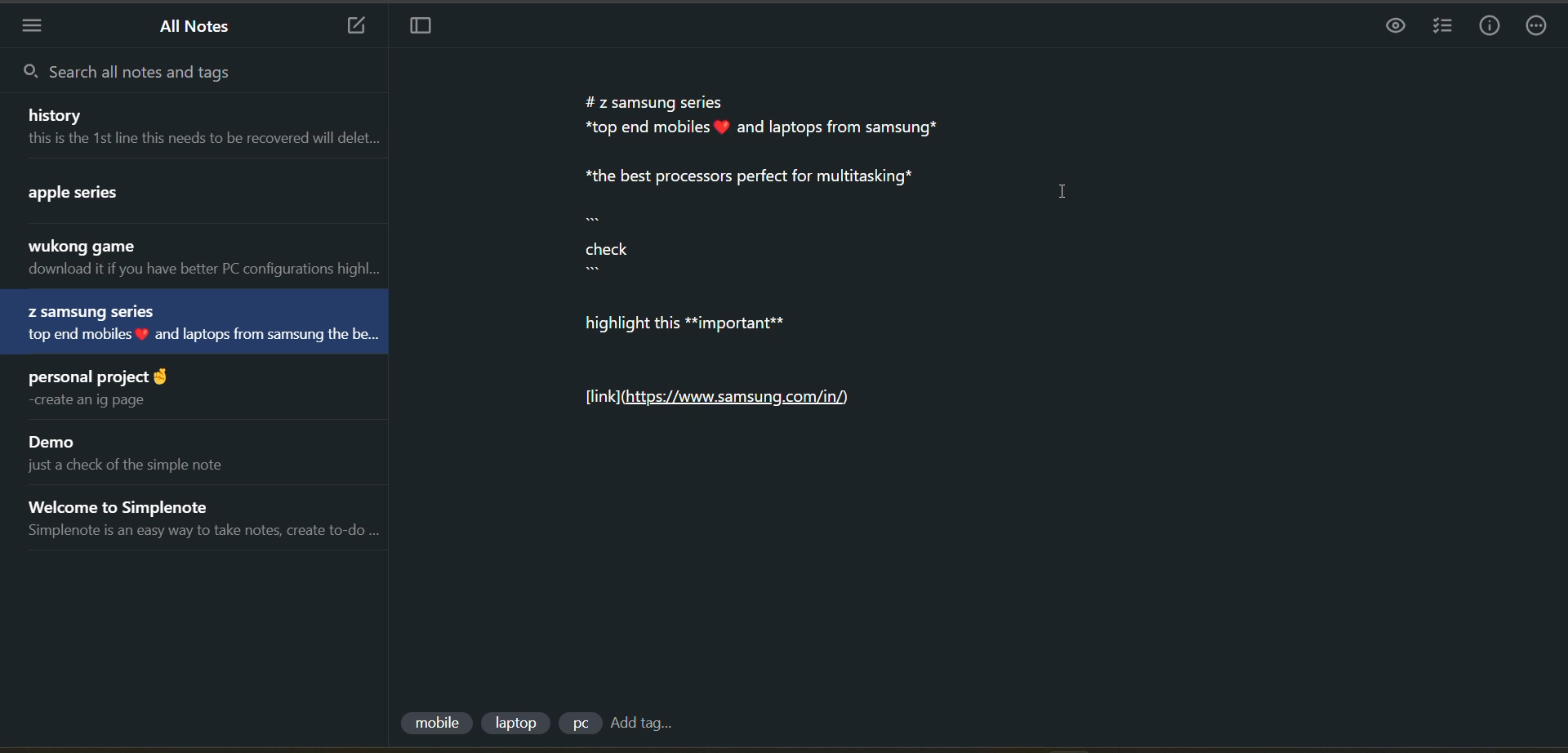 The image size is (1568, 753). Describe the element at coordinates (774, 223) in the screenshot. I see `data from current note` at that location.